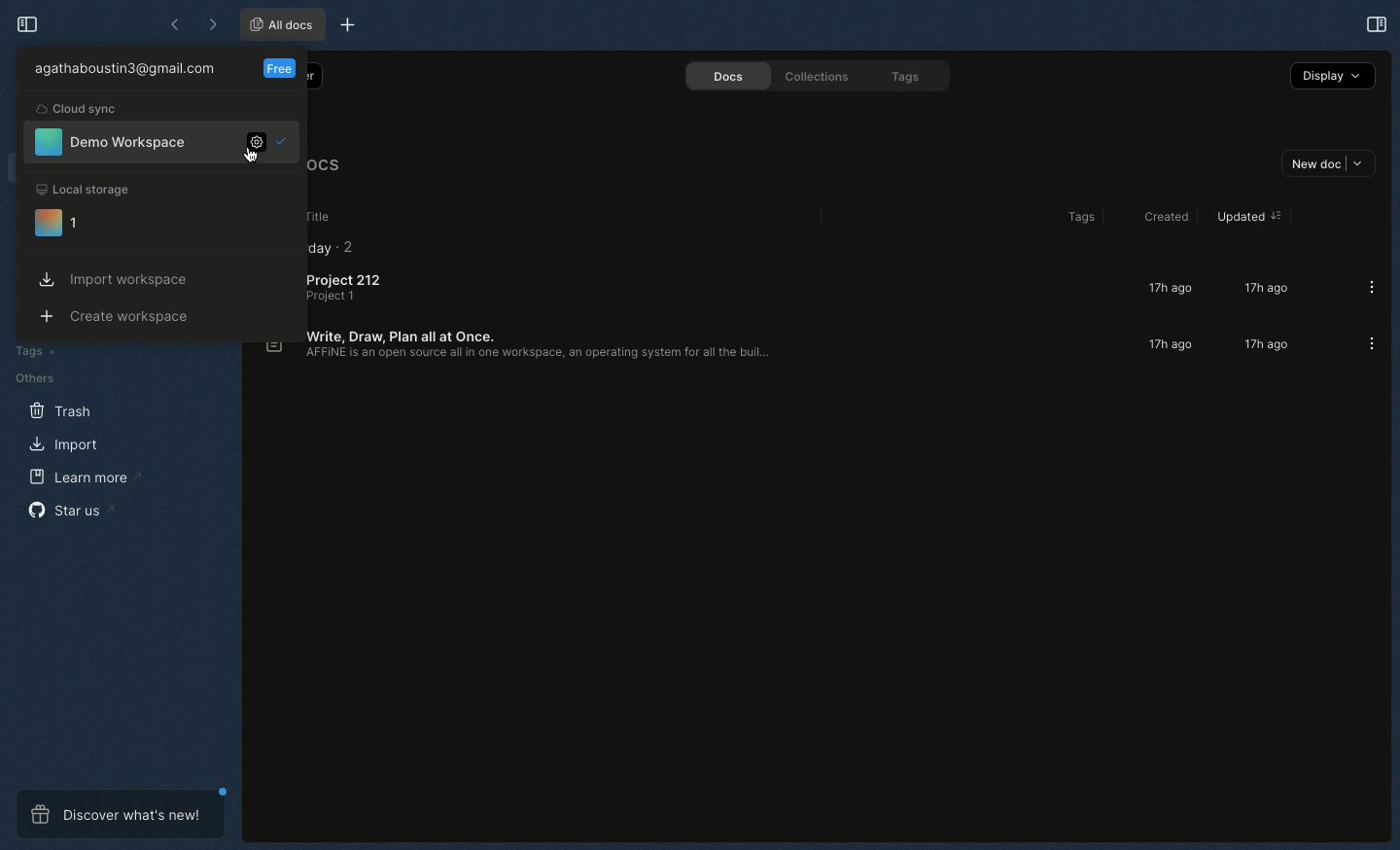 The height and width of the screenshot is (850, 1400). I want to click on Project 212, so click(347, 289).